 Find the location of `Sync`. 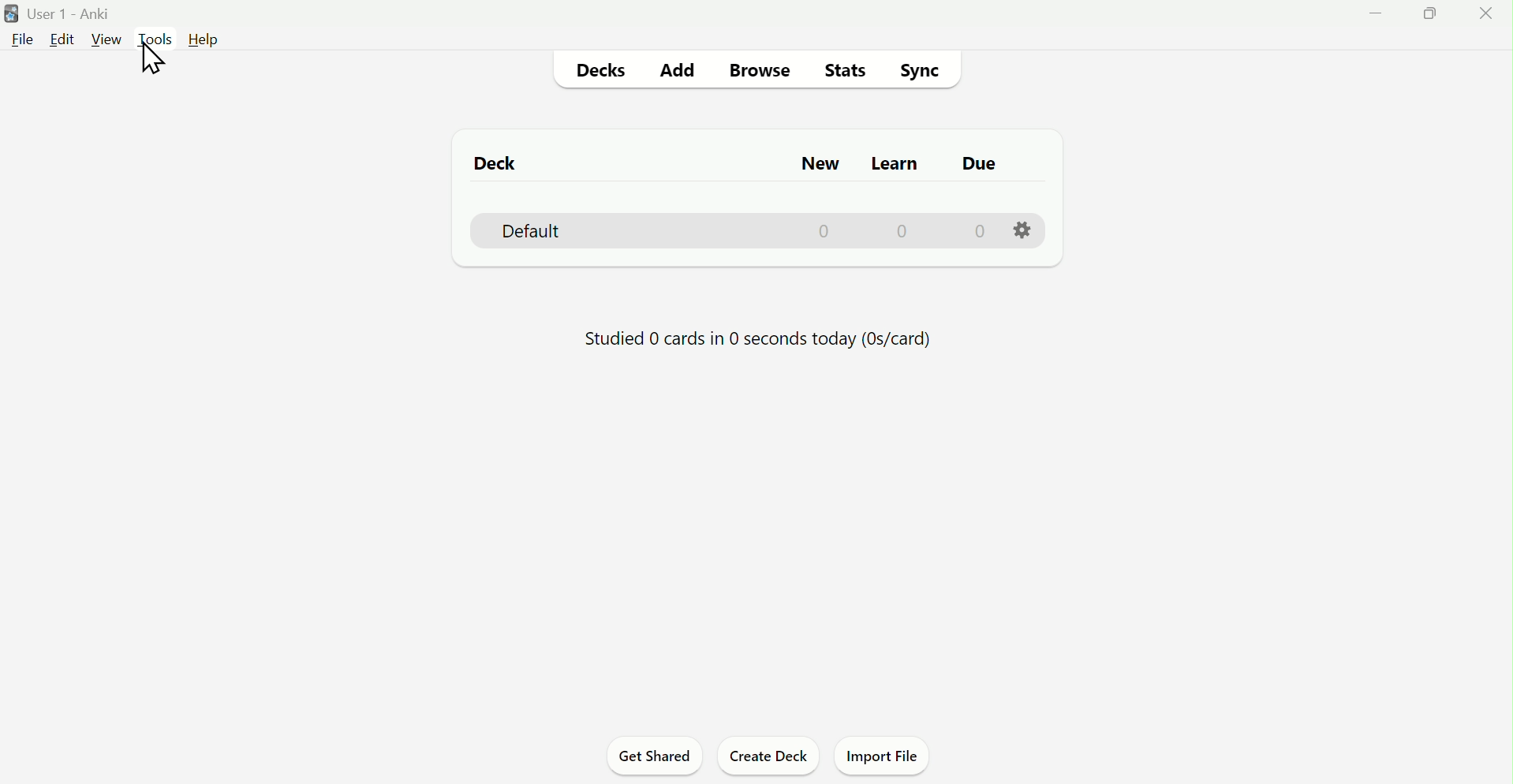

Sync is located at coordinates (921, 70).